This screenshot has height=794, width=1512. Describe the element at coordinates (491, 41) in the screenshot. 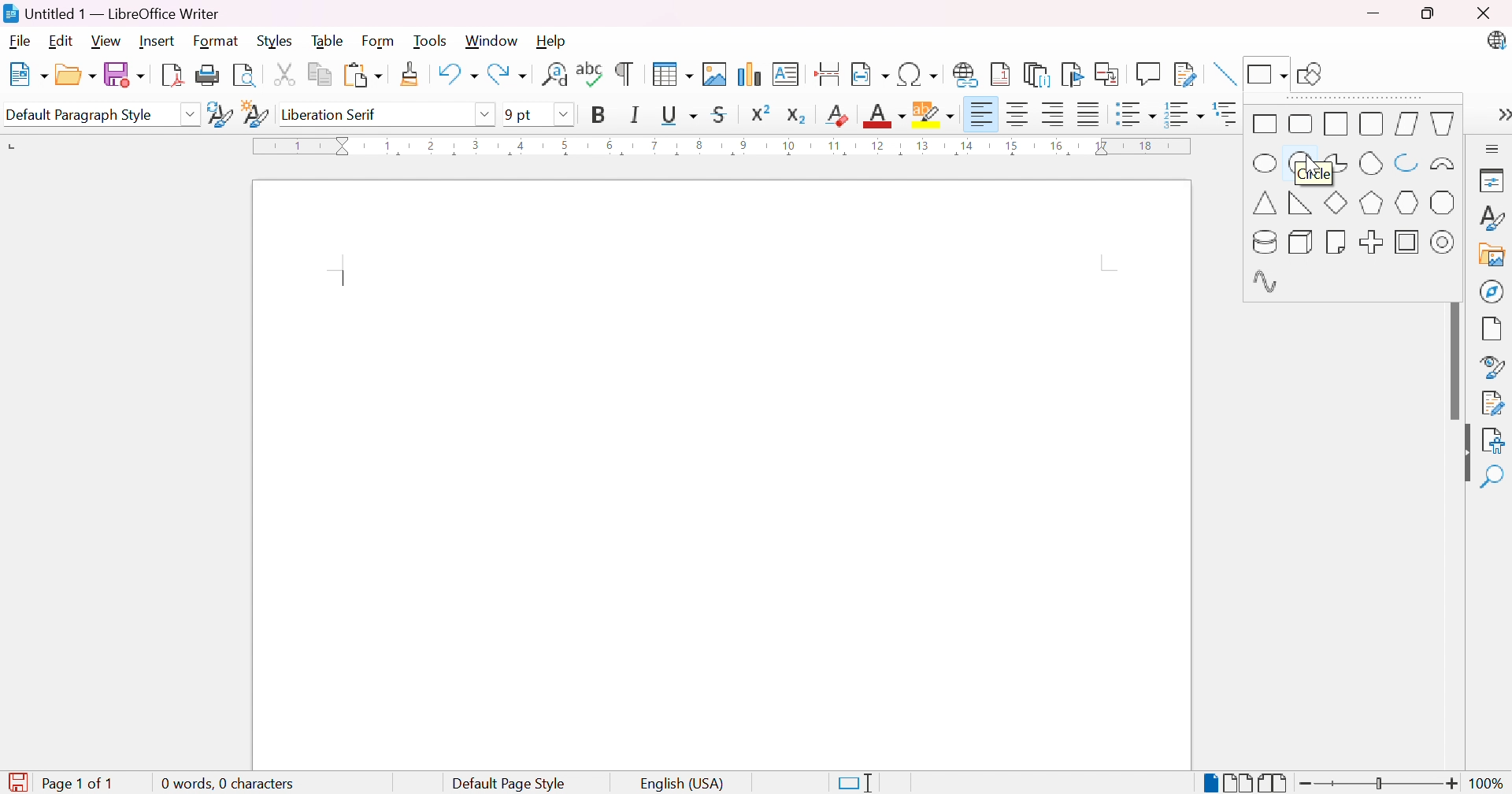

I see `Window` at that location.